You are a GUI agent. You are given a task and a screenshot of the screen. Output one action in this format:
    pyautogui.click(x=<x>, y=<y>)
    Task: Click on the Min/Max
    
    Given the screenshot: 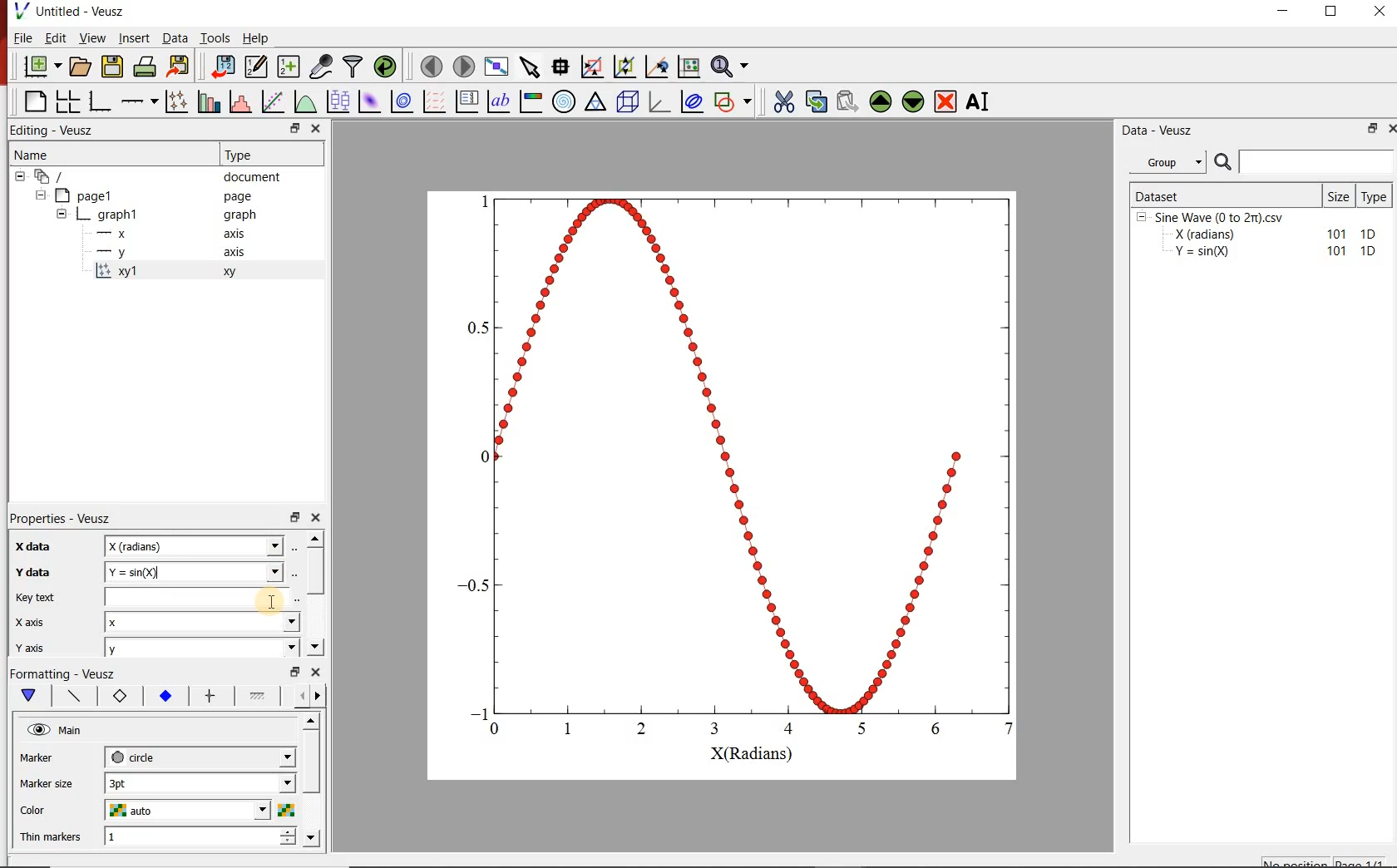 What is the action you would take?
    pyautogui.click(x=1370, y=130)
    